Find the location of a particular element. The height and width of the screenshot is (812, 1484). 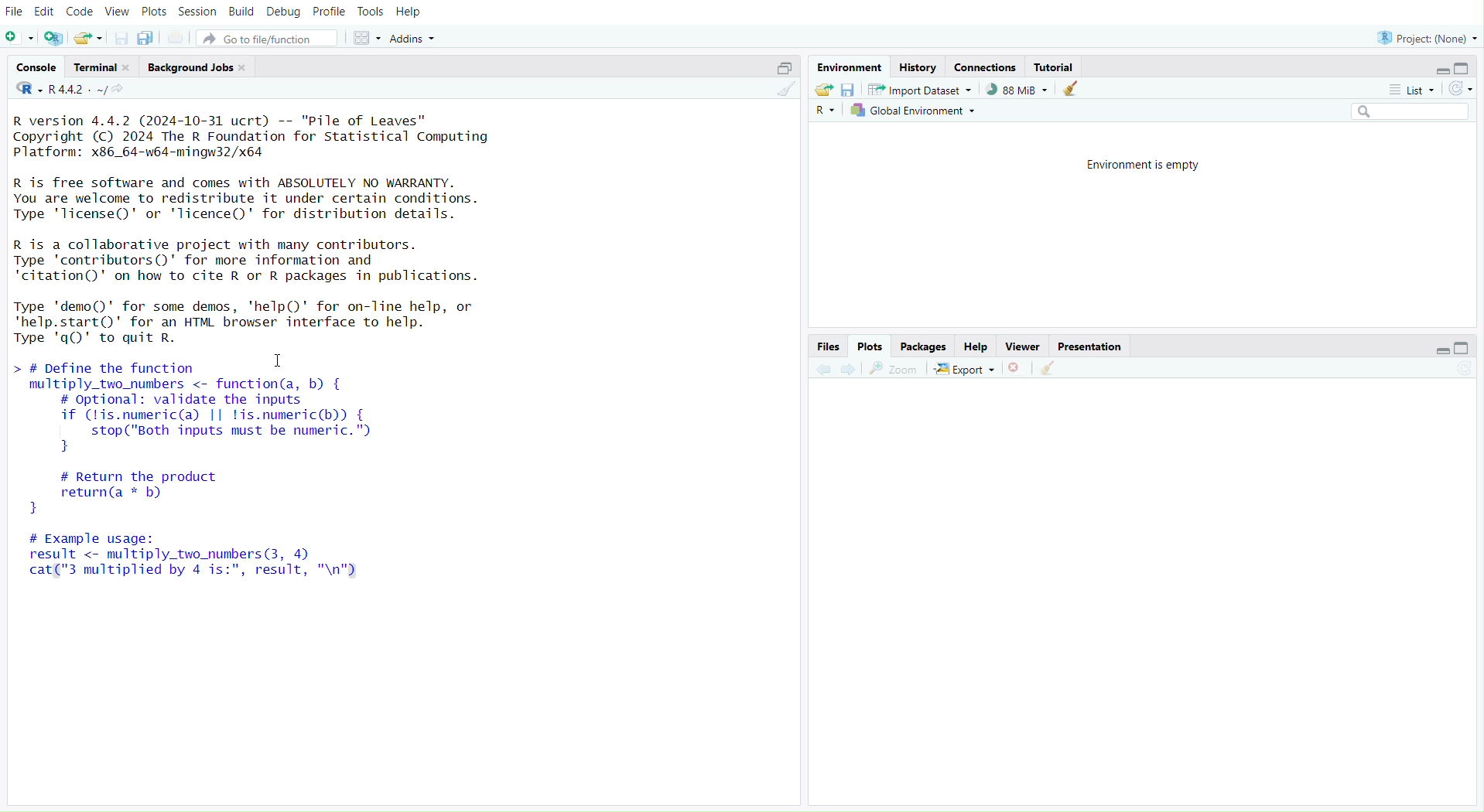

Tutorial is located at coordinates (1055, 66).